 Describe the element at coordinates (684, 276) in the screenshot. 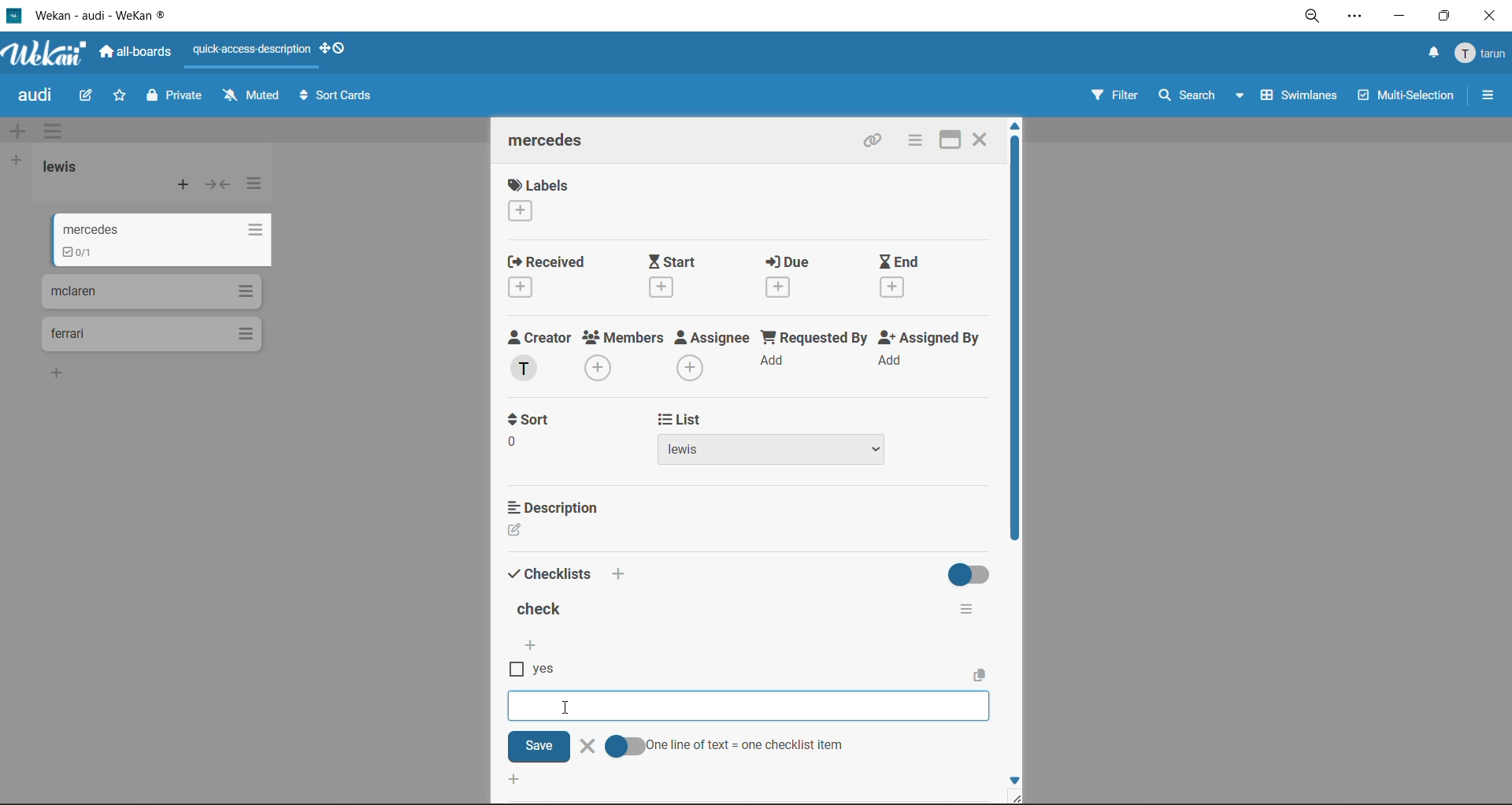

I see `start` at that location.